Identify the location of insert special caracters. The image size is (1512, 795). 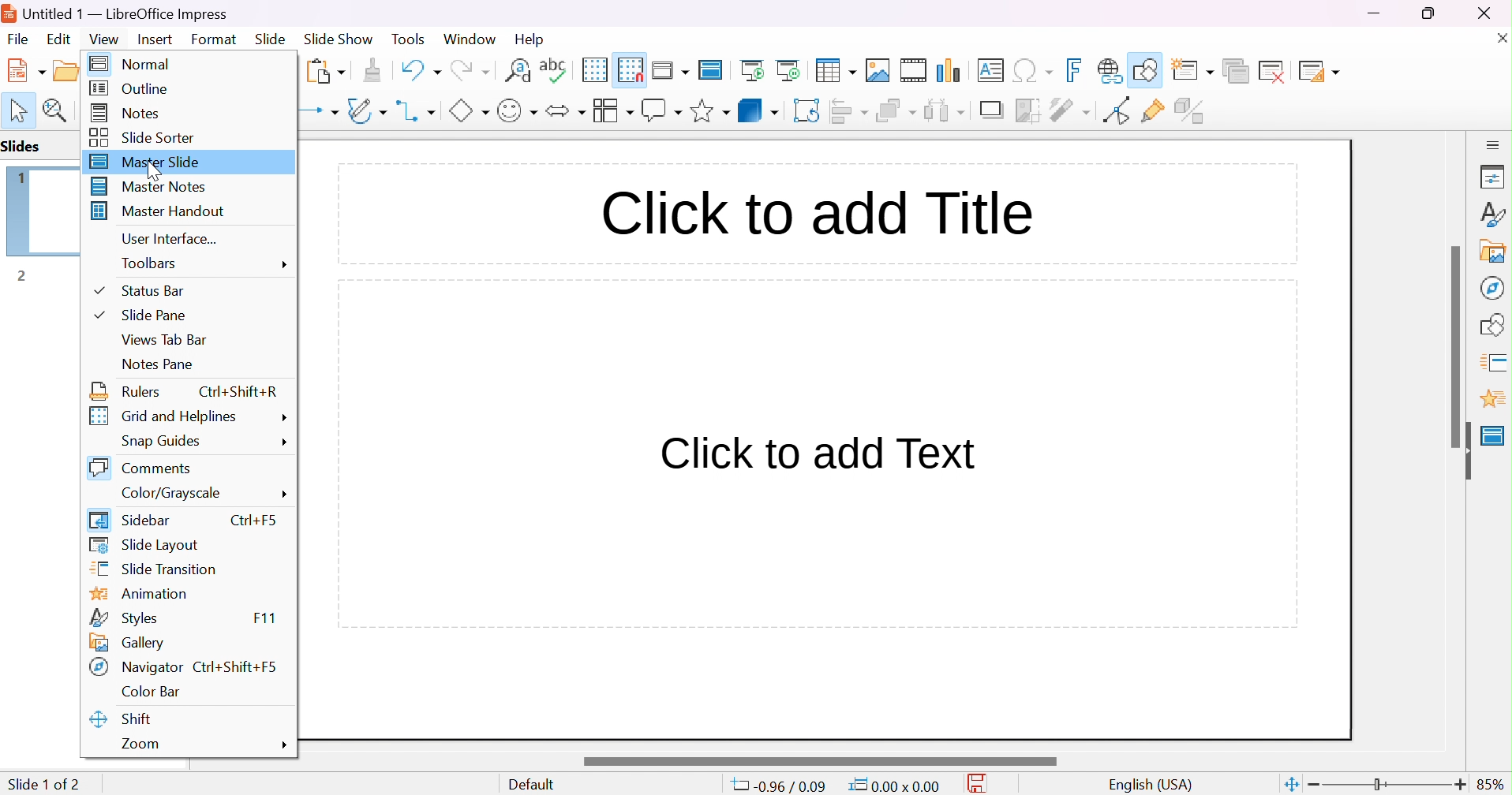
(1033, 71).